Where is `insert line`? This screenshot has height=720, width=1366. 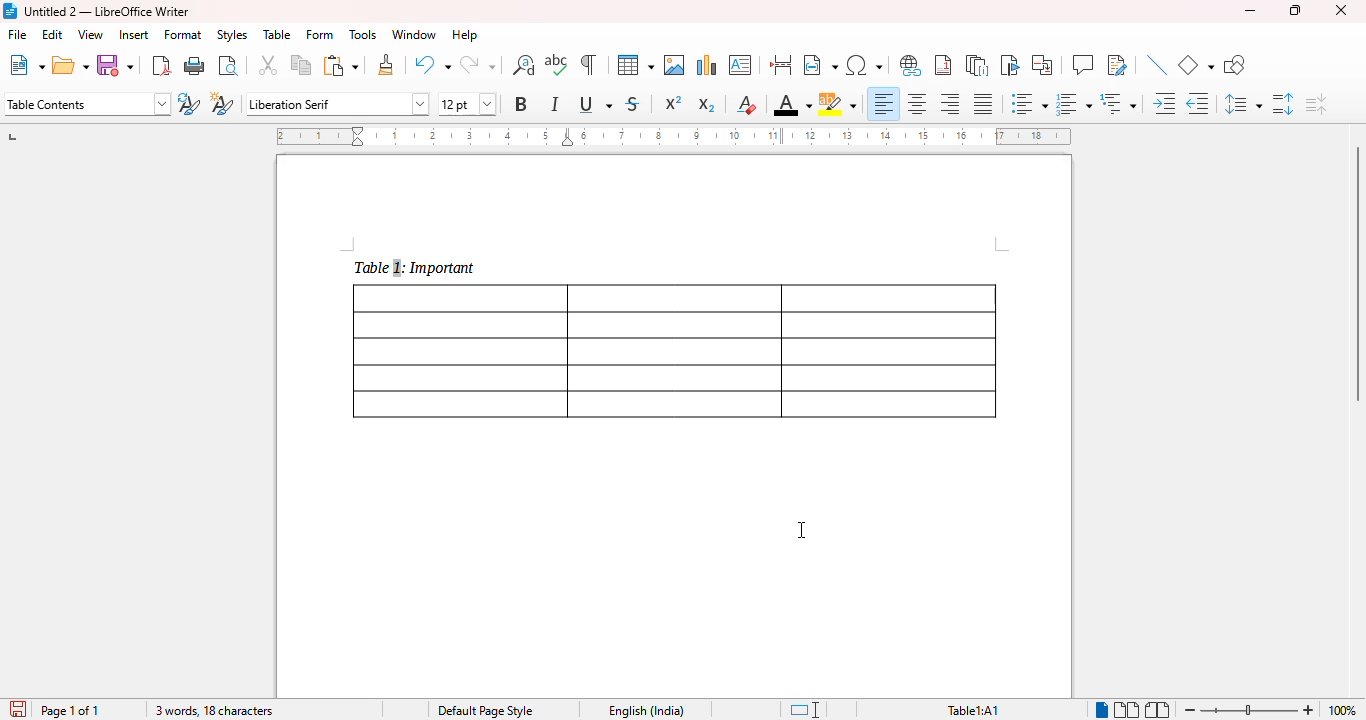 insert line is located at coordinates (1157, 64).